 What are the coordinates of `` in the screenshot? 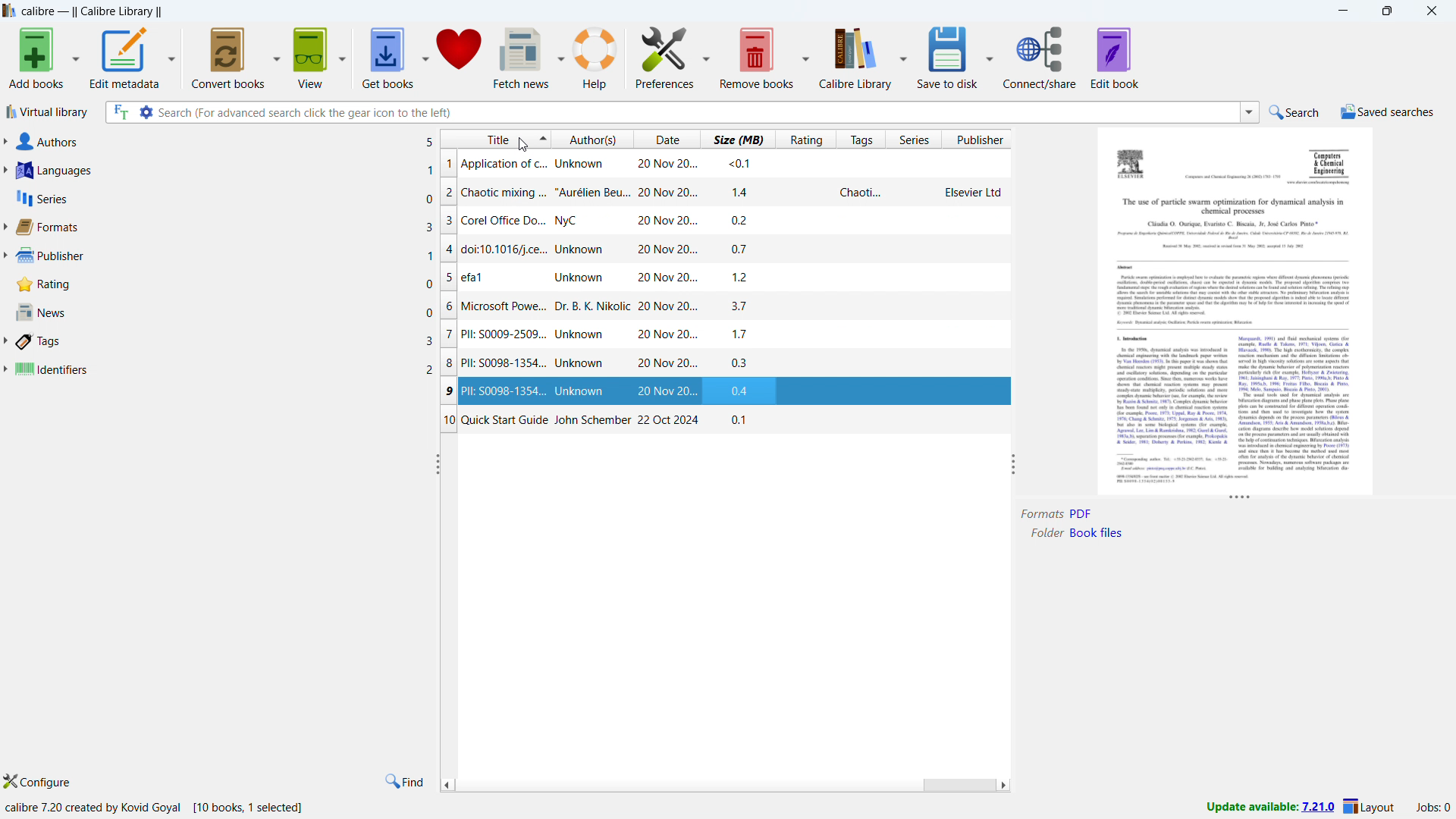 It's located at (1232, 206).